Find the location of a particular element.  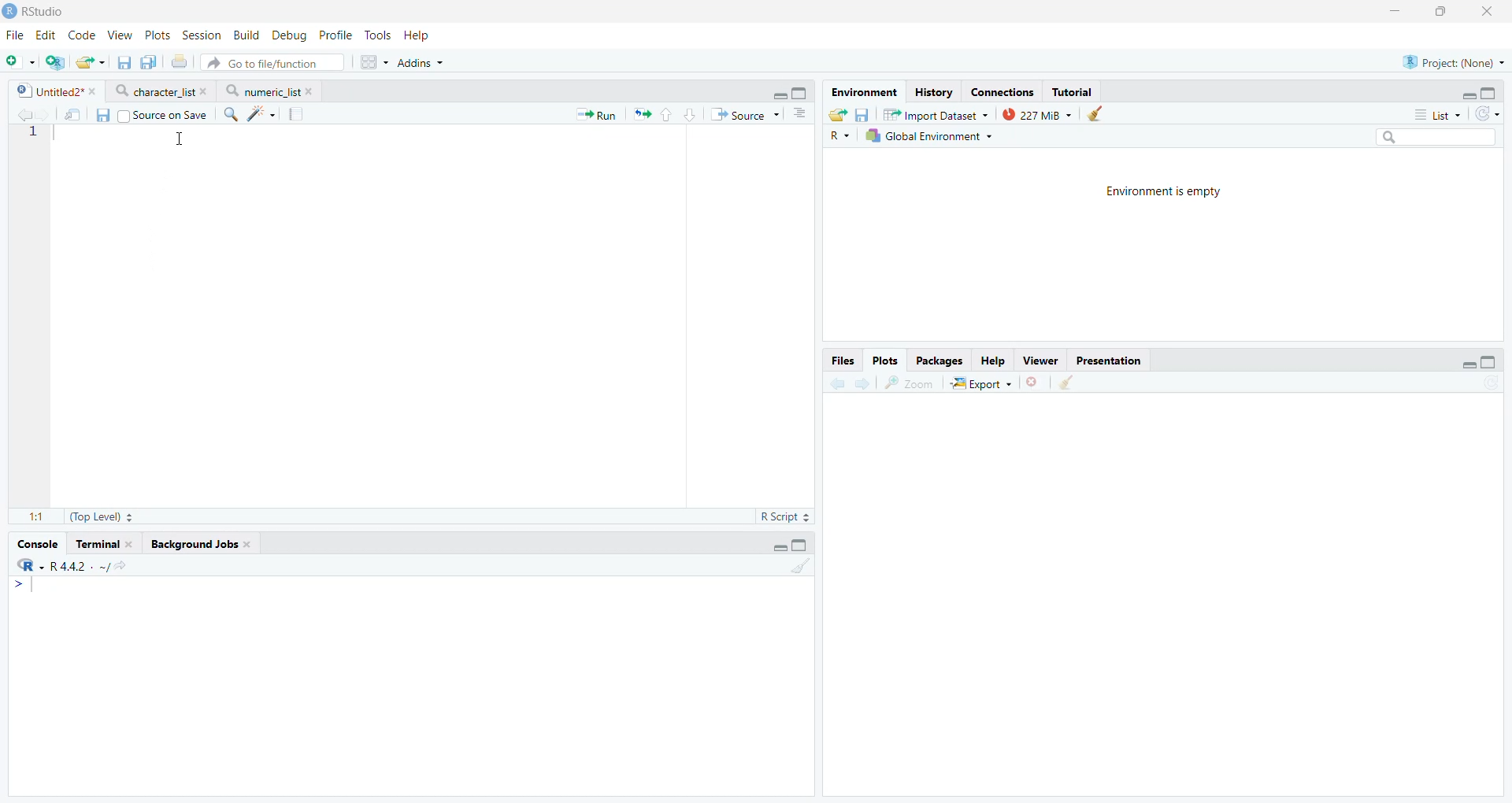

Build is located at coordinates (248, 35).